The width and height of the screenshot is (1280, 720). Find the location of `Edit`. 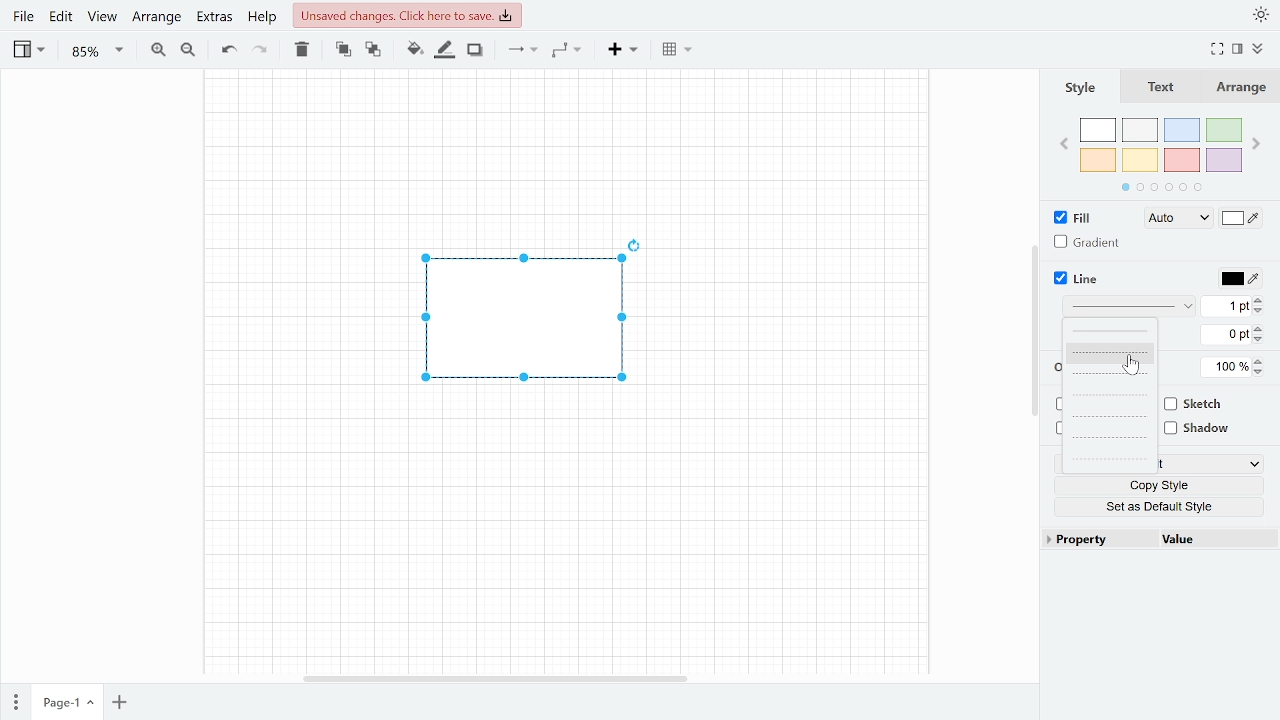

Edit is located at coordinates (62, 20).